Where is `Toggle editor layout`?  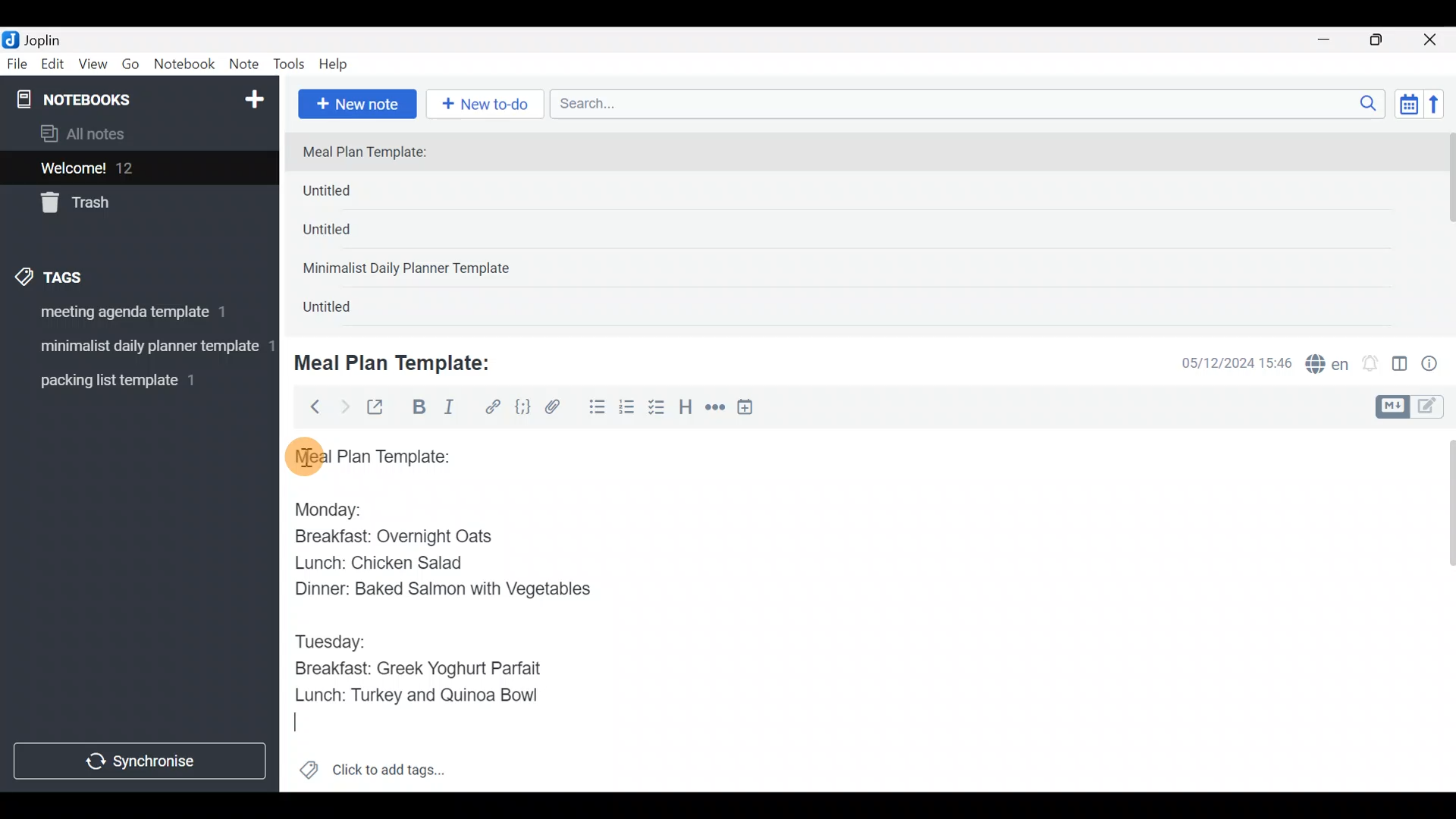 Toggle editor layout is located at coordinates (1401, 366).